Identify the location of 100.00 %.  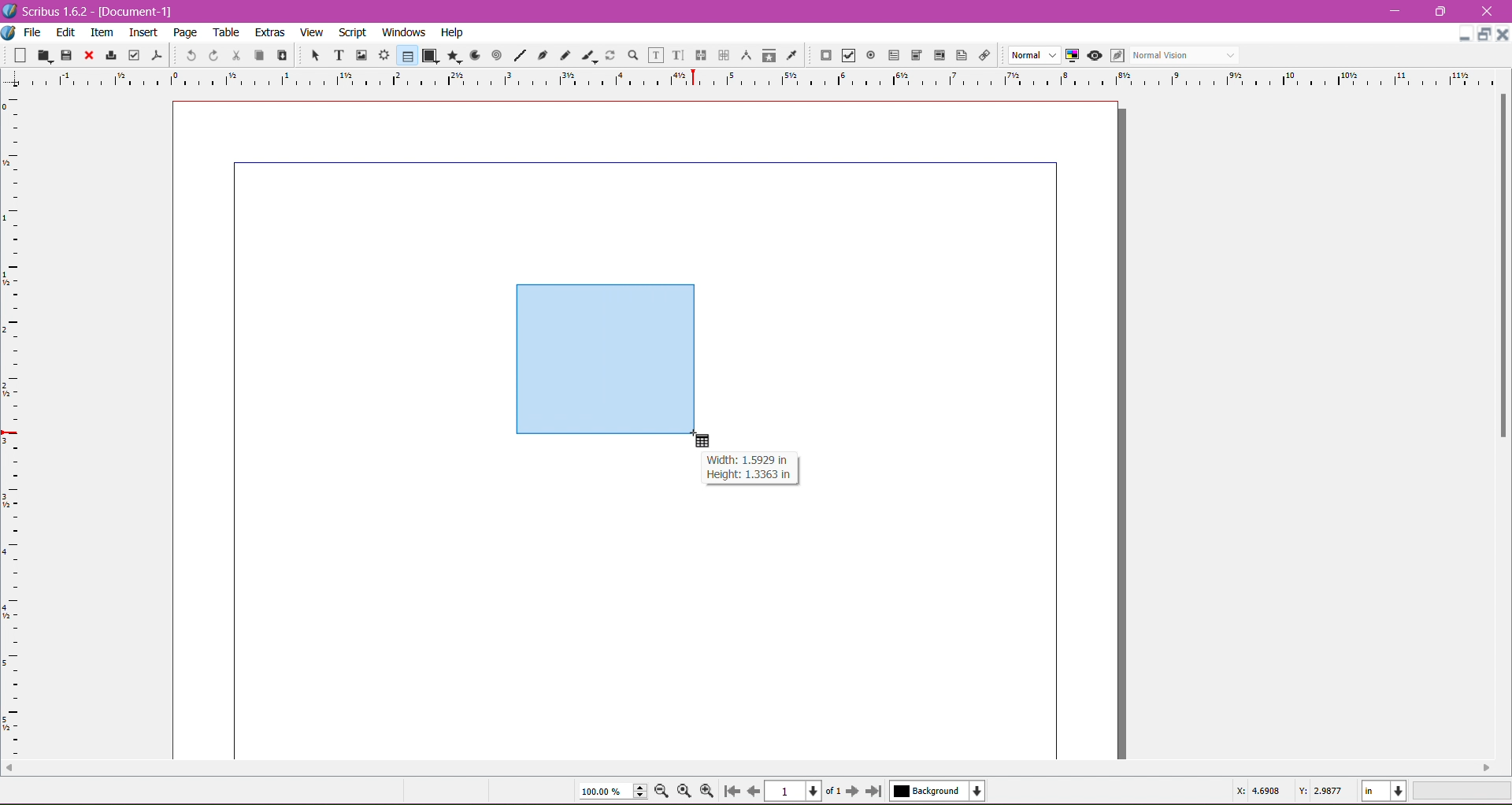
(613, 792).